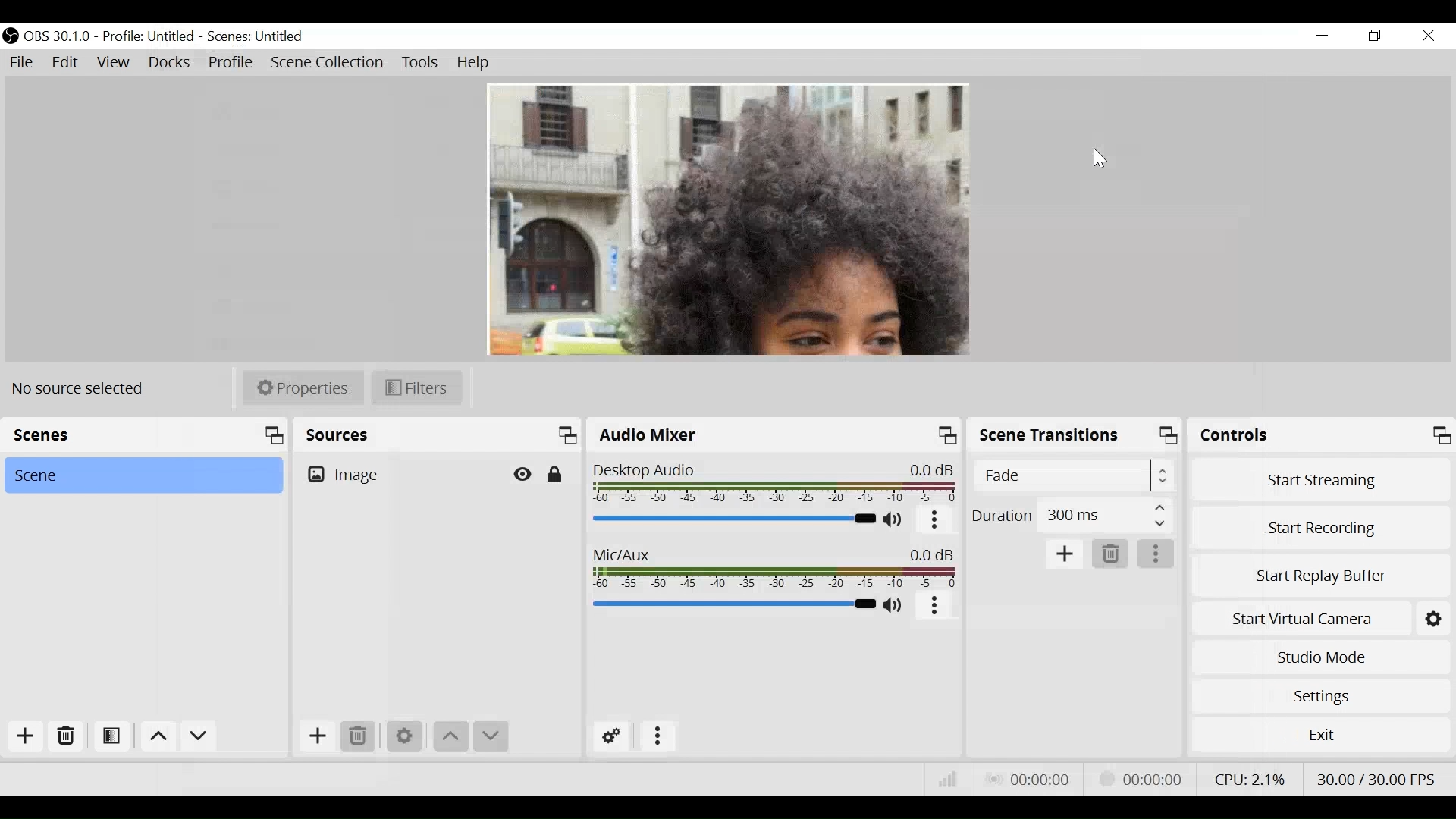  What do you see at coordinates (66, 63) in the screenshot?
I see `Edit` at bounding box center [66, 63].